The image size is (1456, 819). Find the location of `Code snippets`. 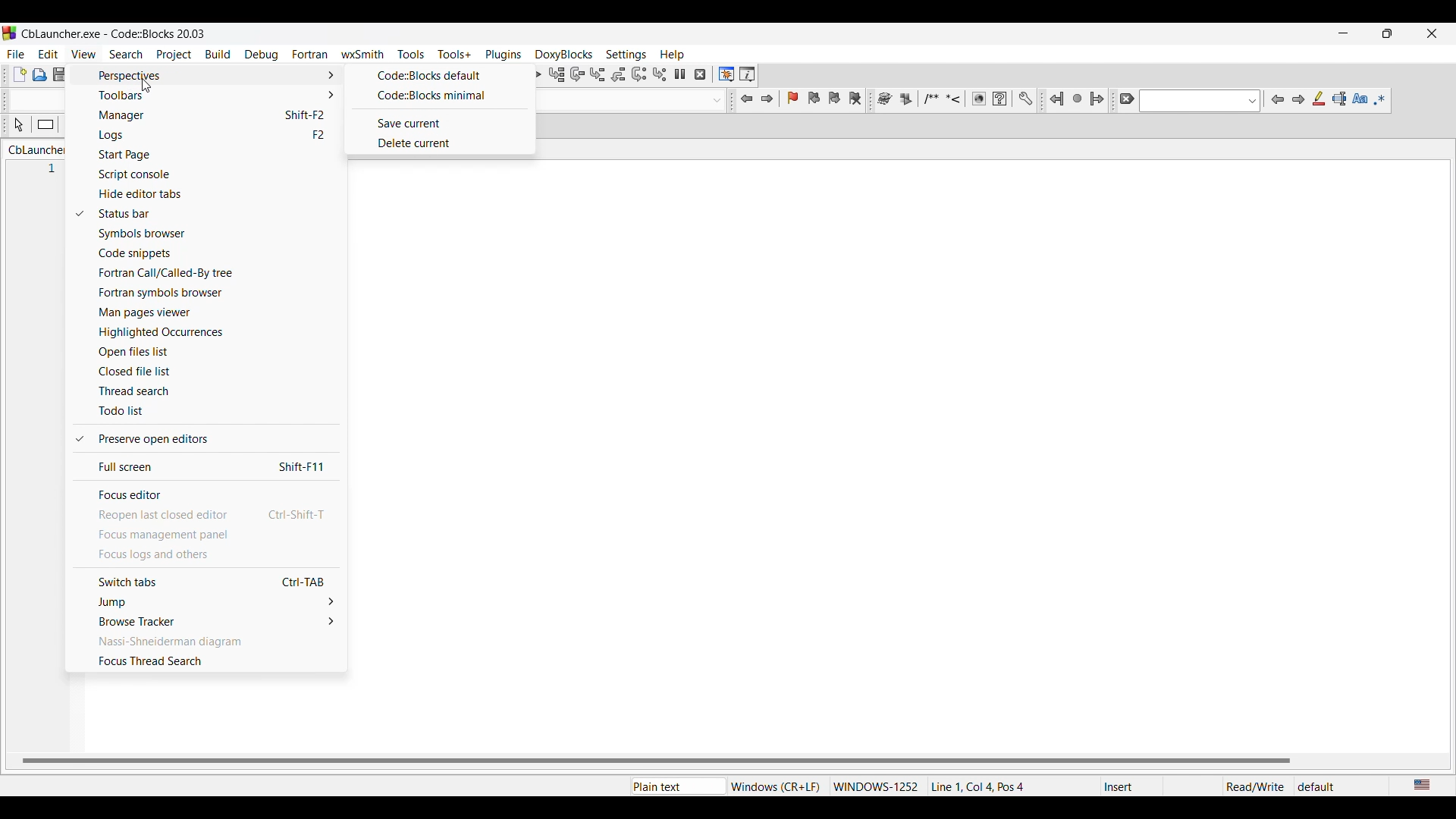

Code snippets is located at coordinates (217, 253).